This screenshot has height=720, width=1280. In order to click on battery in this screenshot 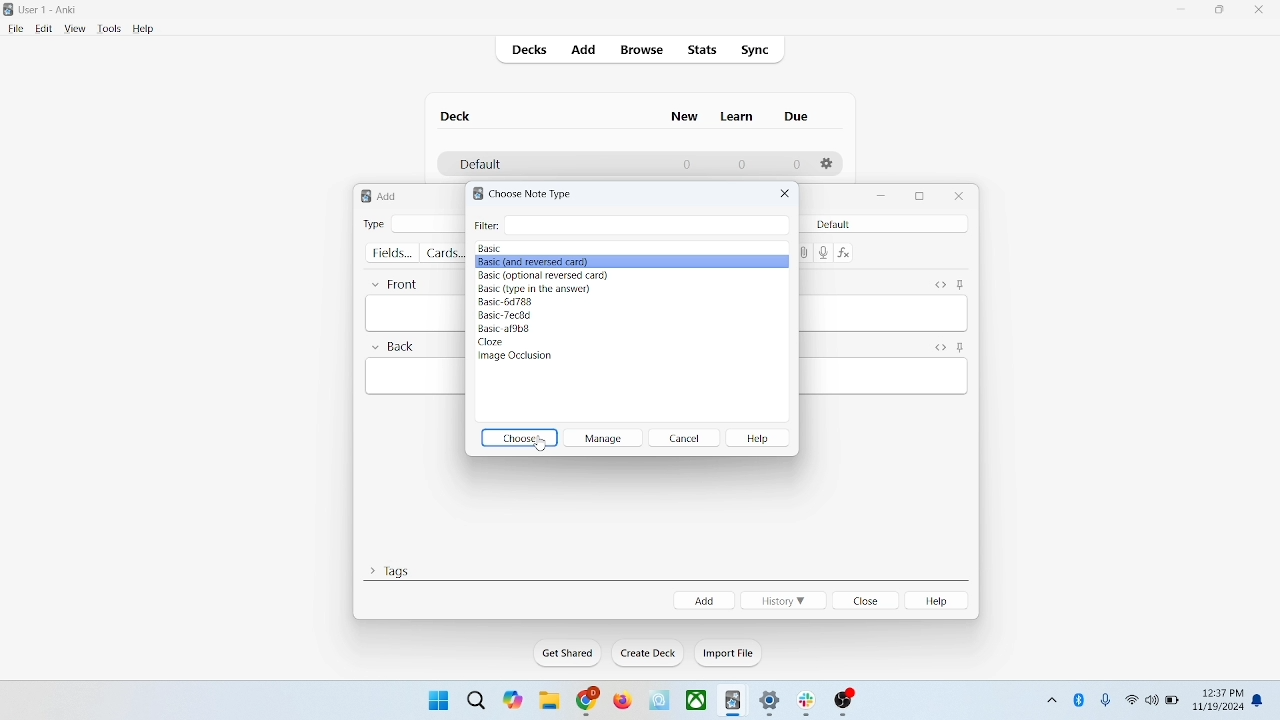, I will do `click(1173, 702)`.